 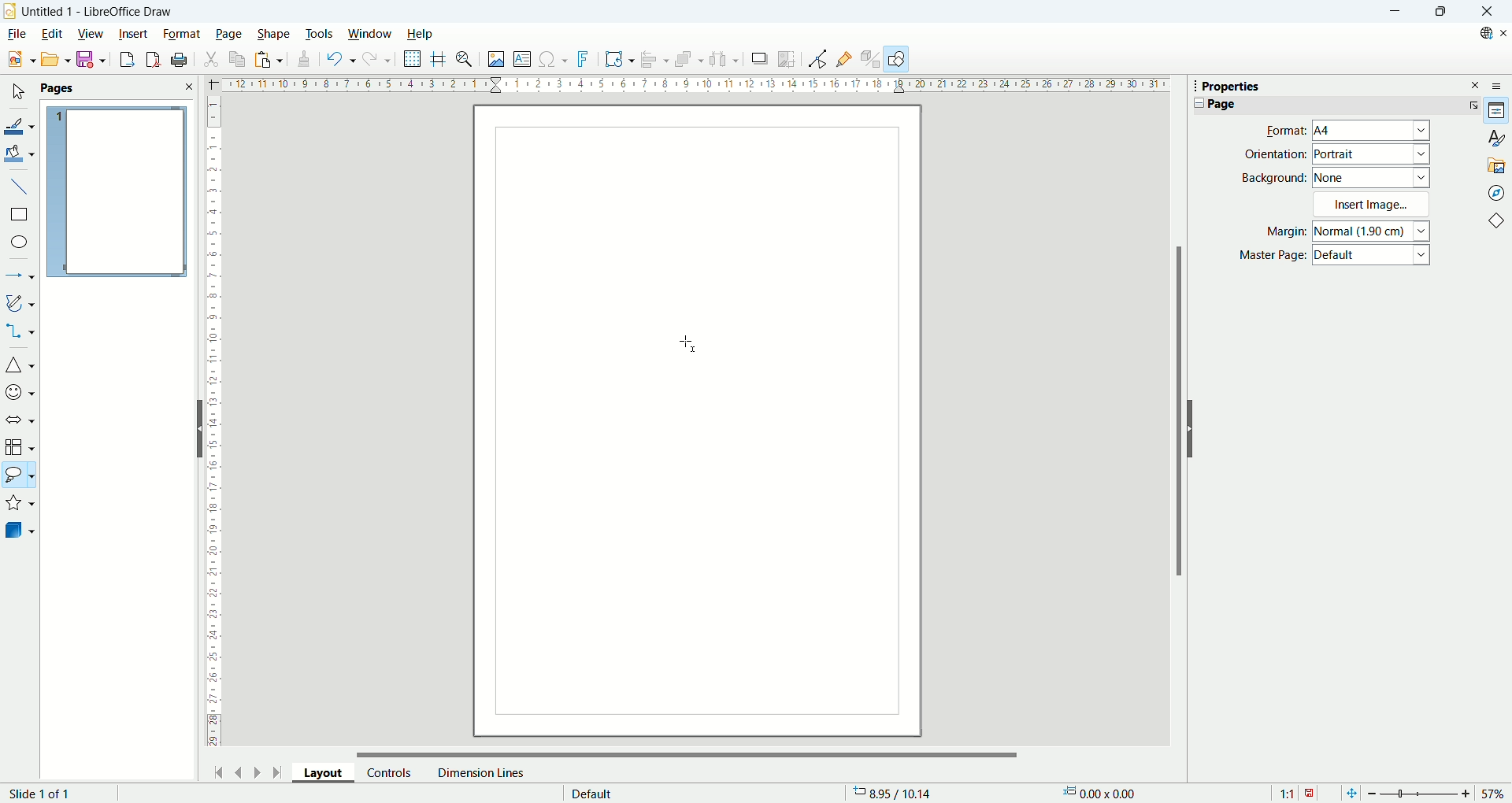 What do you see at coordinates (20, 332) in the screenshot?
I see `connectors` at bounding box center [20, 332].